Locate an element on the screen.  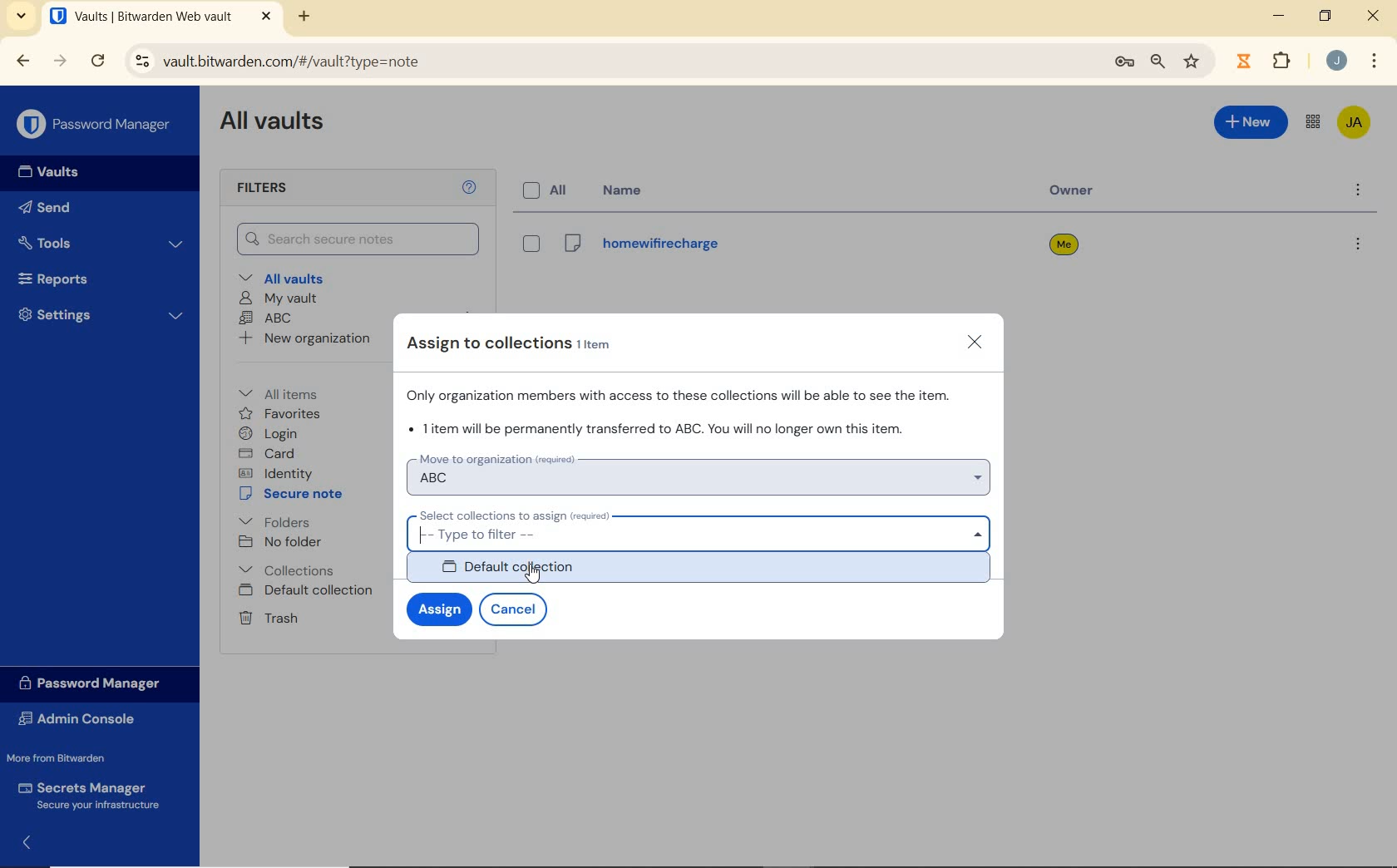
More from Bitwarden is located at coordinates (67, 757).